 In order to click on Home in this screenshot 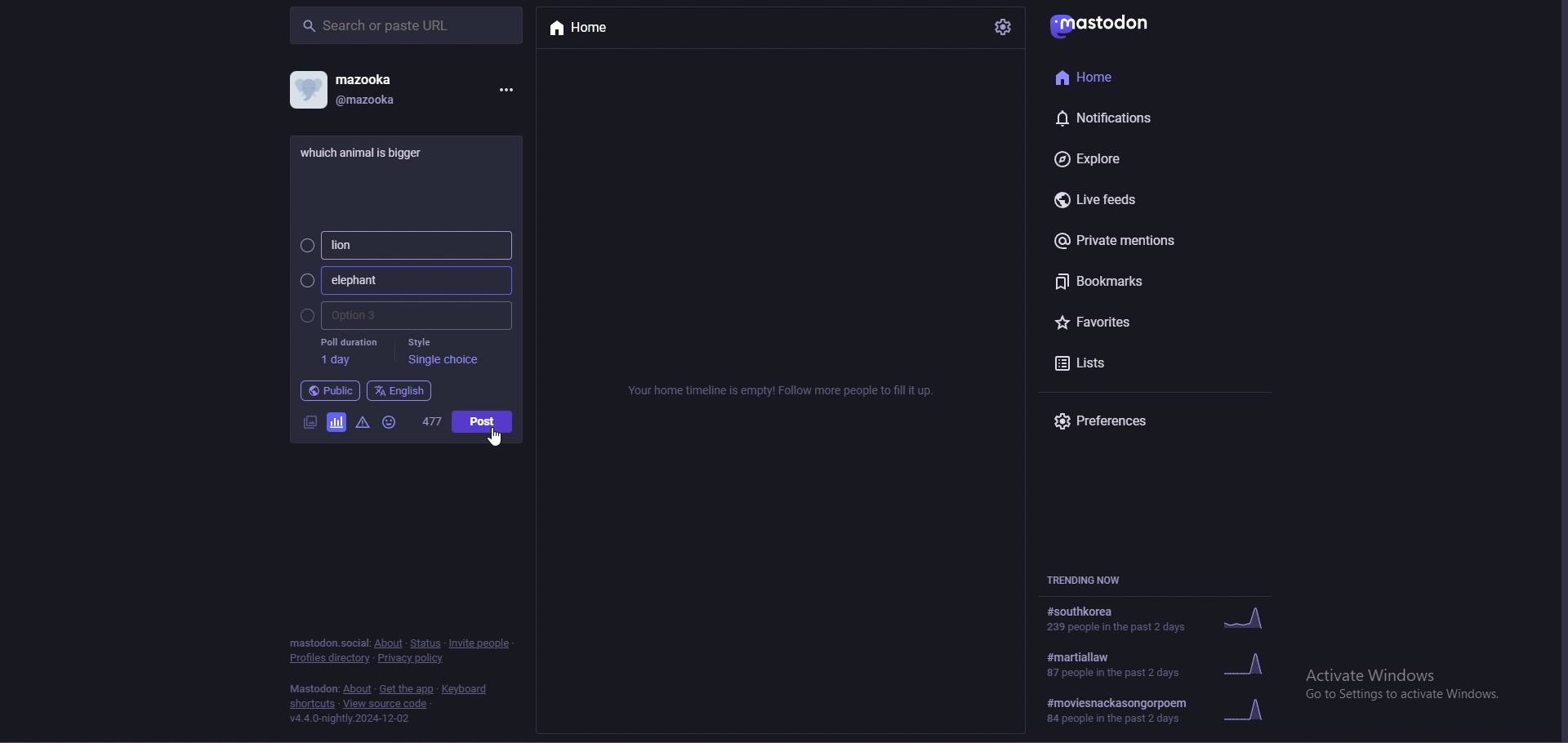, I will do `click(1090, 76)`.